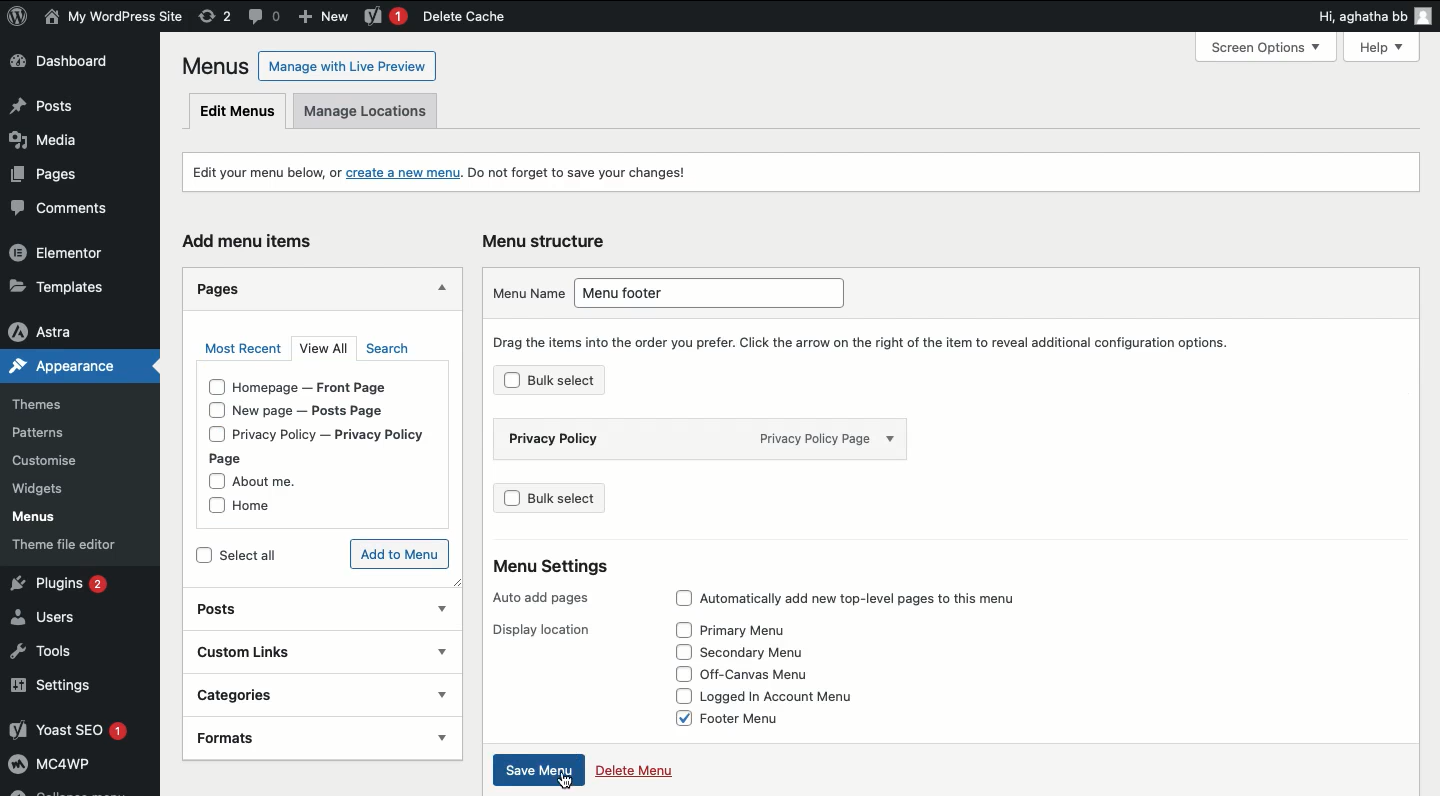 The height and width of the screenshot is (796, 1440). What do you see at coordinates (291, 738) in the screenshot?
I see `Formats ` at bounding box center [291, 738].